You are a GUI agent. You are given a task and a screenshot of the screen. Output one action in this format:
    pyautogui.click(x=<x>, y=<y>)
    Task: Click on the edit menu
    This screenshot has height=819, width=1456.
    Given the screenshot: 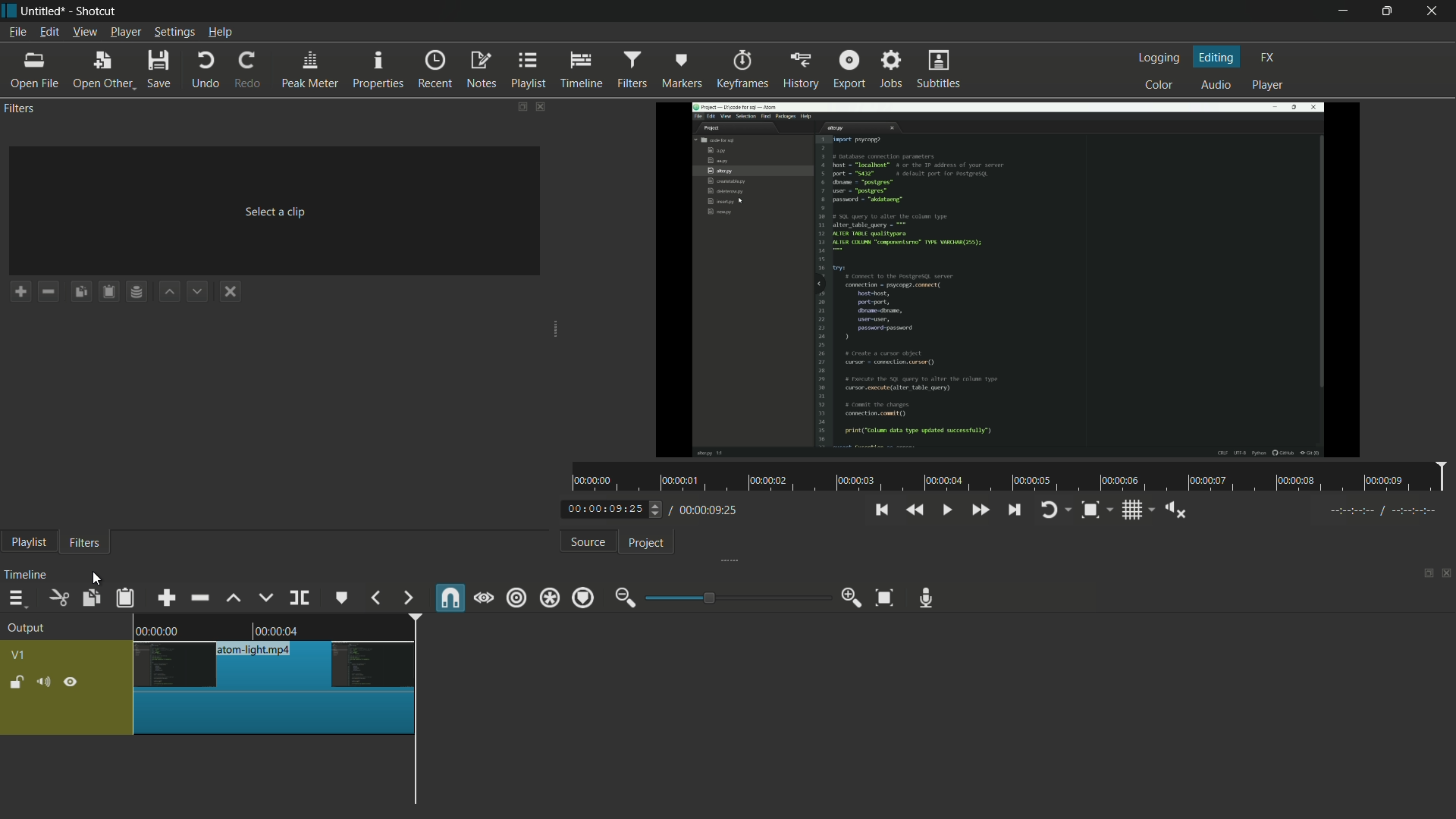 What is the action you would take?
    pyautogui.click(x=49, y=33)
    